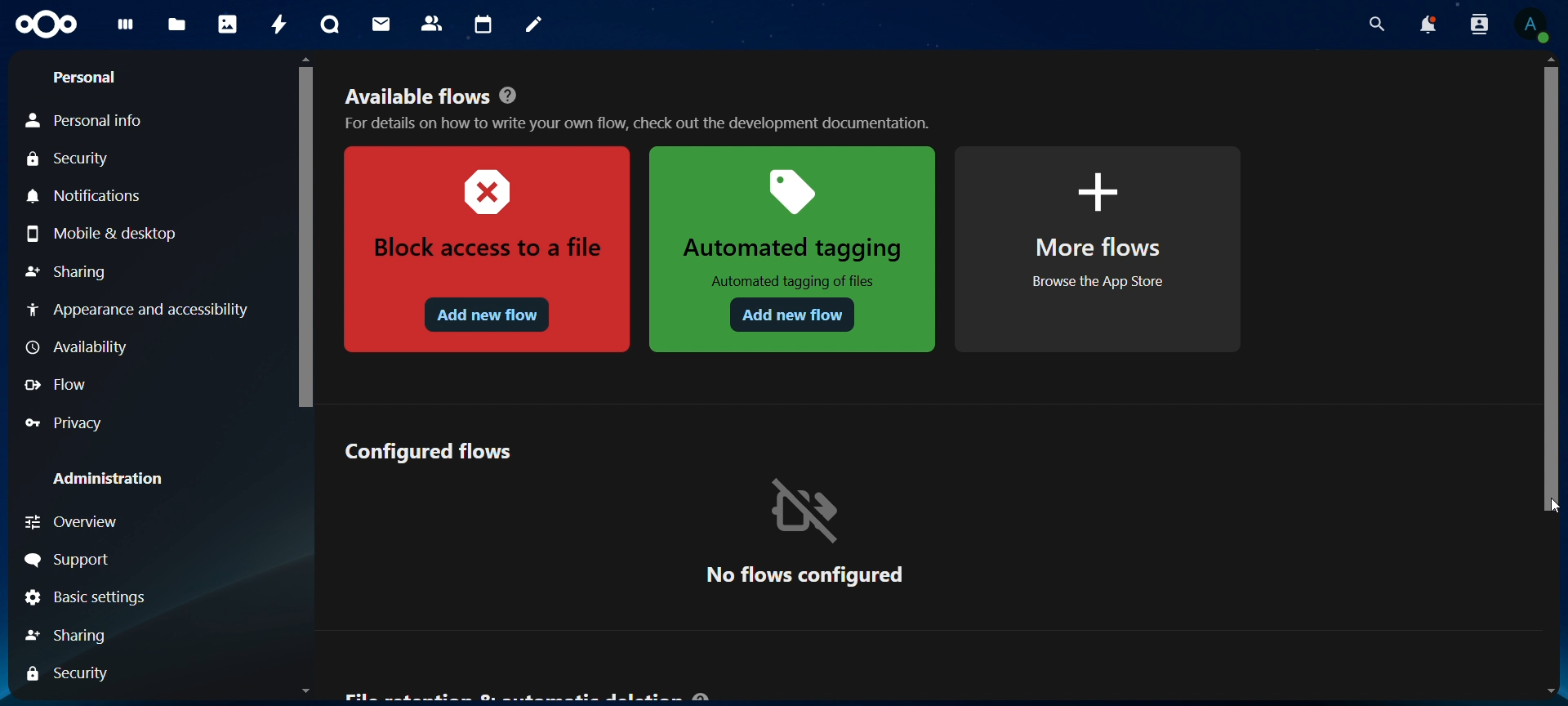 The width and height of the screenshot is (1568, 706). What do you see at coordinates (109, 478) in the screenshot?
I see `administration` at bounding box center [109, 478].